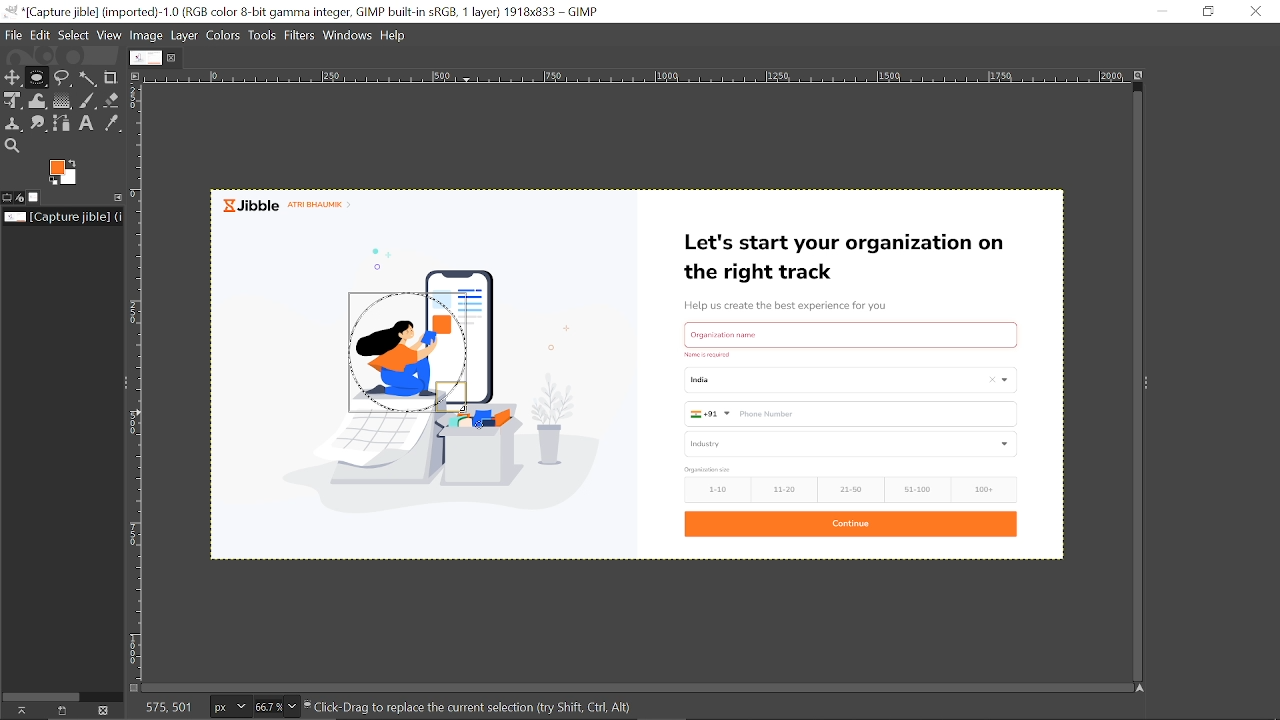  I want to click on horizontal ruler, so click(629, 77).